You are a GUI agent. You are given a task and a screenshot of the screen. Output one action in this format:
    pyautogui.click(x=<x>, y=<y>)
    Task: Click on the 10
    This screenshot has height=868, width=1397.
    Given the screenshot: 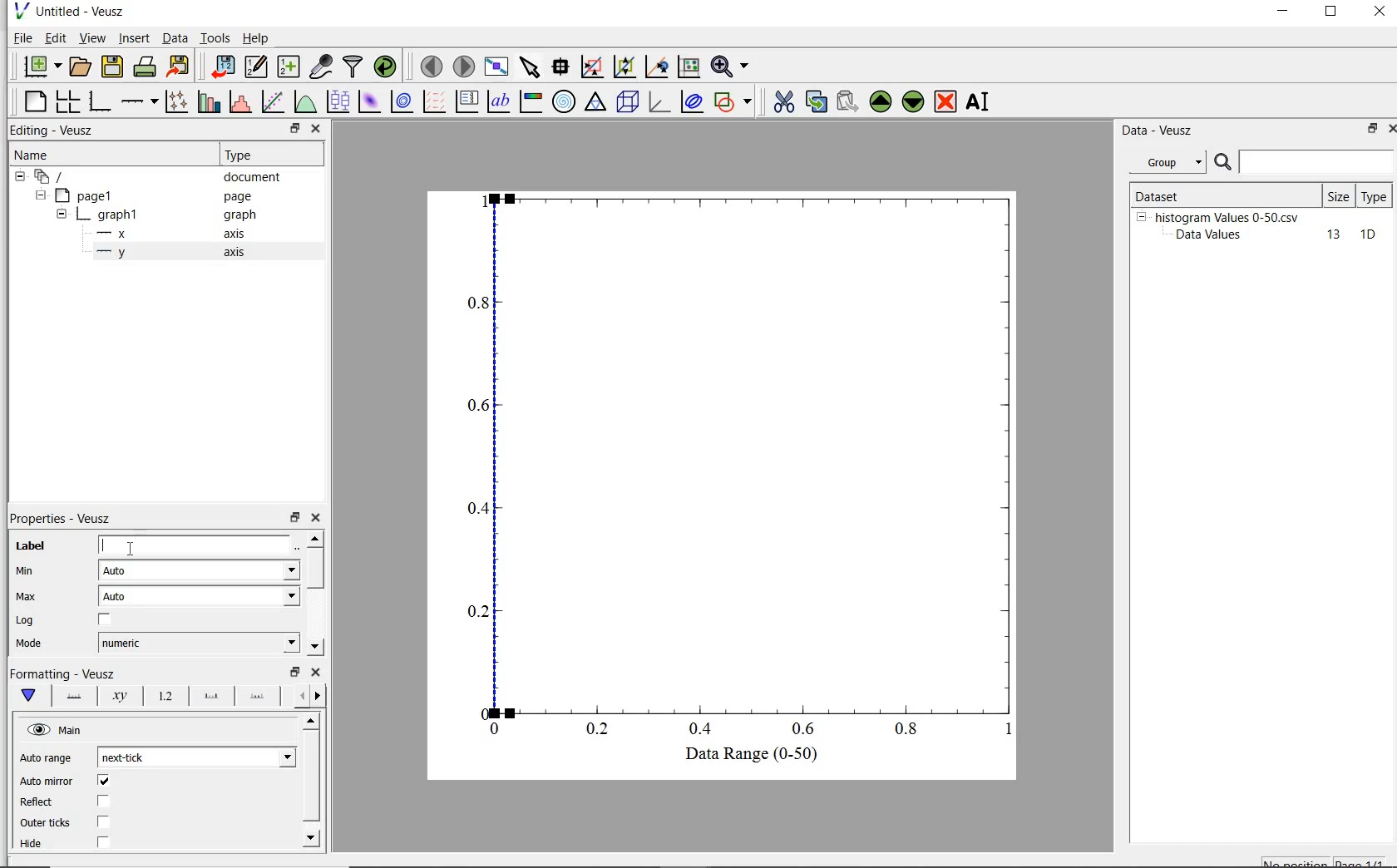 What is the action you would take?
    pyautogui.click(x=1368, y=235)
    